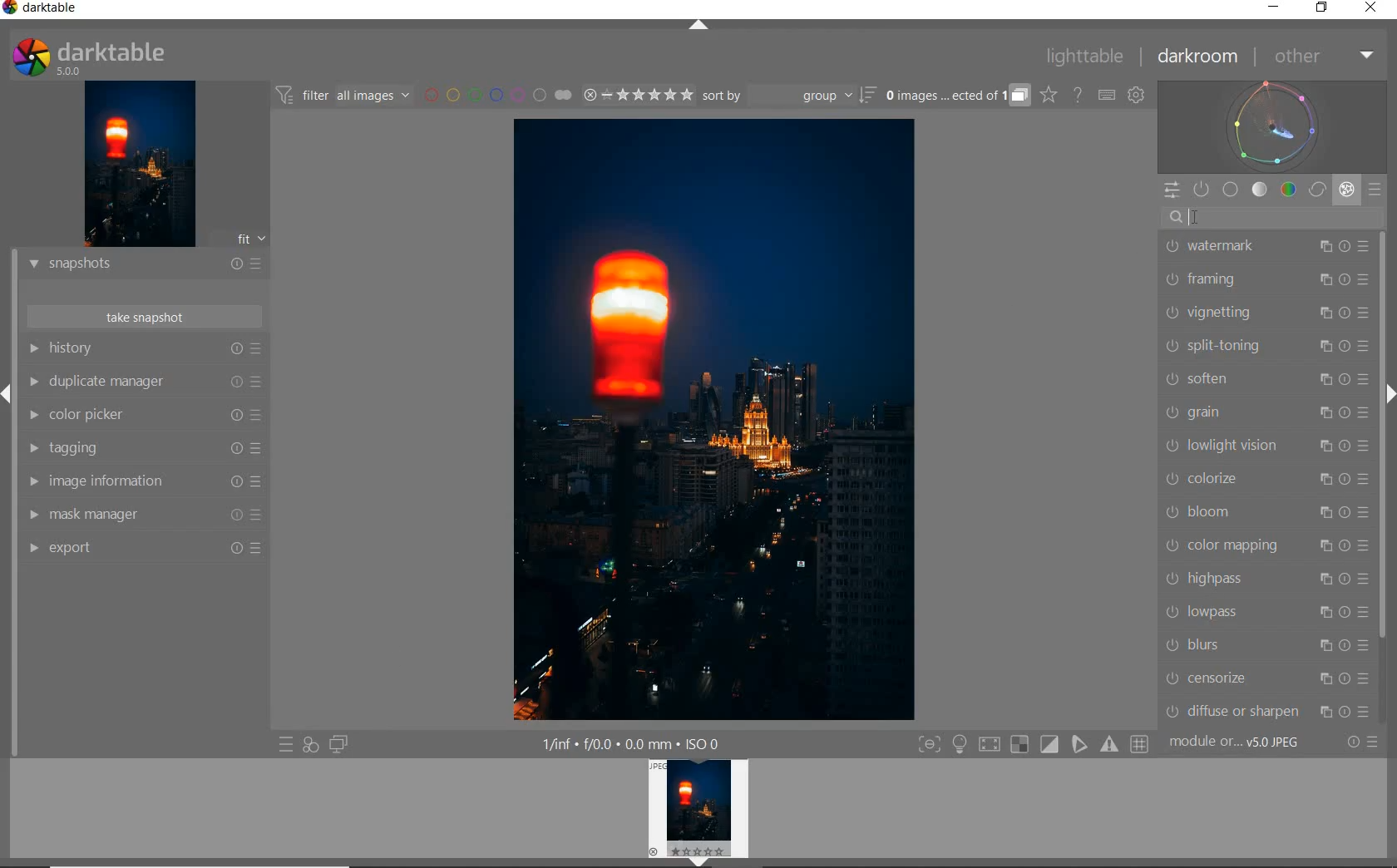  What do you see at coordinates (1321, 311) in the screenshot?
I see `Multiple instance` at bounding box center [1321, 311].